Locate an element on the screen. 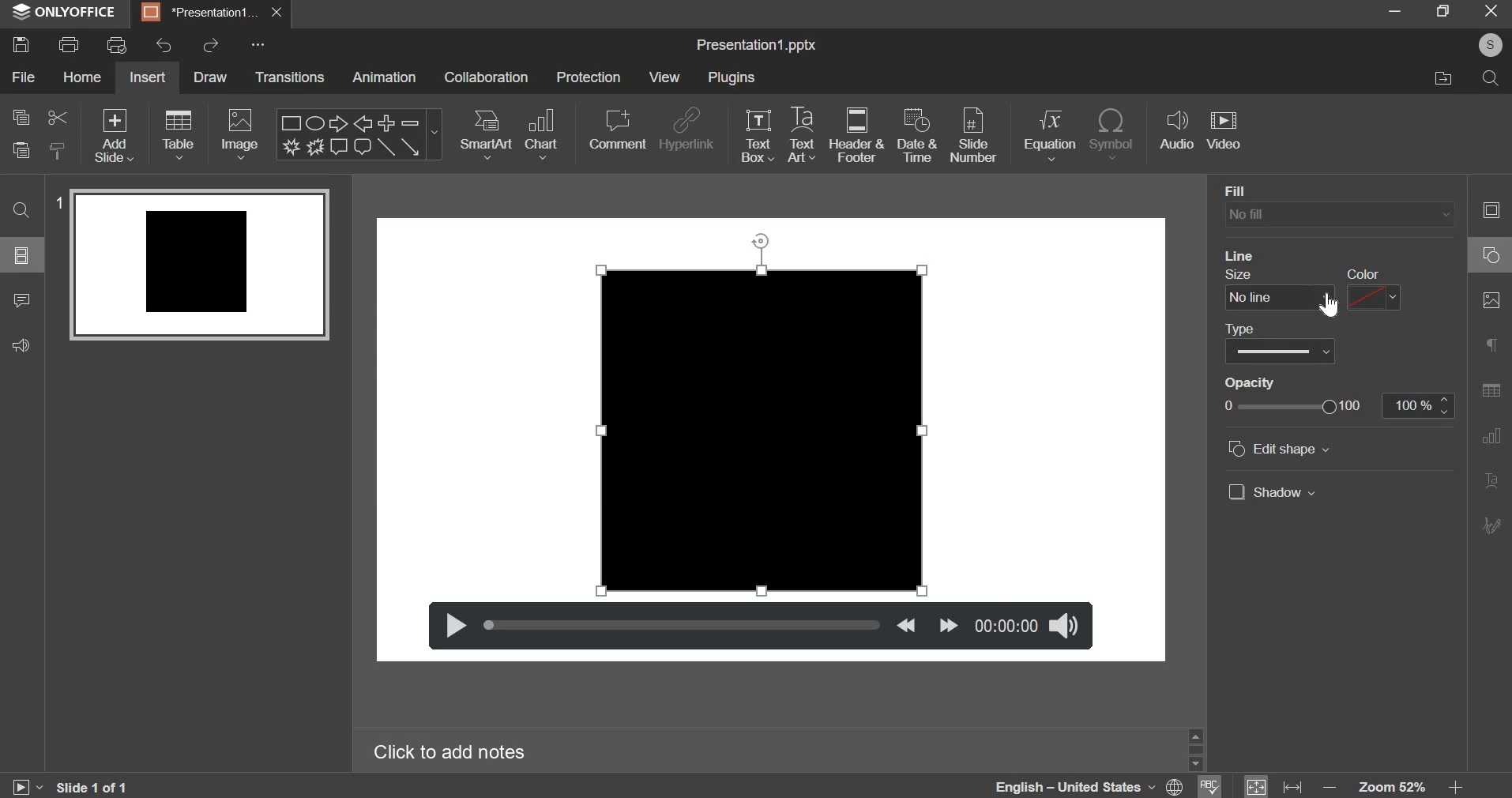 This screenshot has height=798, width=1512. paste is located at coordinates (56, 150).